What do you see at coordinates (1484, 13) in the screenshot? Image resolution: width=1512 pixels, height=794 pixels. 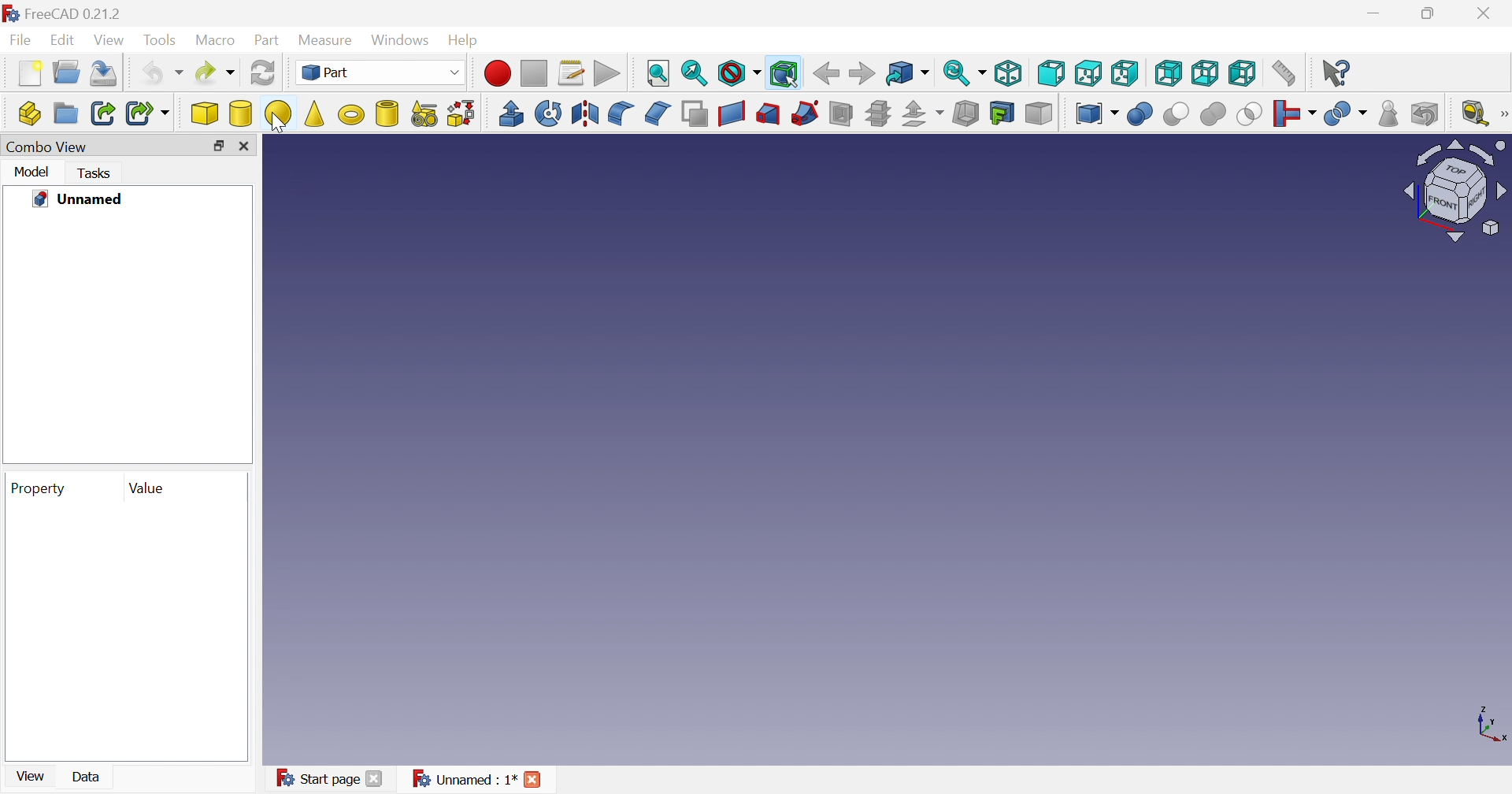 I see `Close` at bounding box center [1484, 13].